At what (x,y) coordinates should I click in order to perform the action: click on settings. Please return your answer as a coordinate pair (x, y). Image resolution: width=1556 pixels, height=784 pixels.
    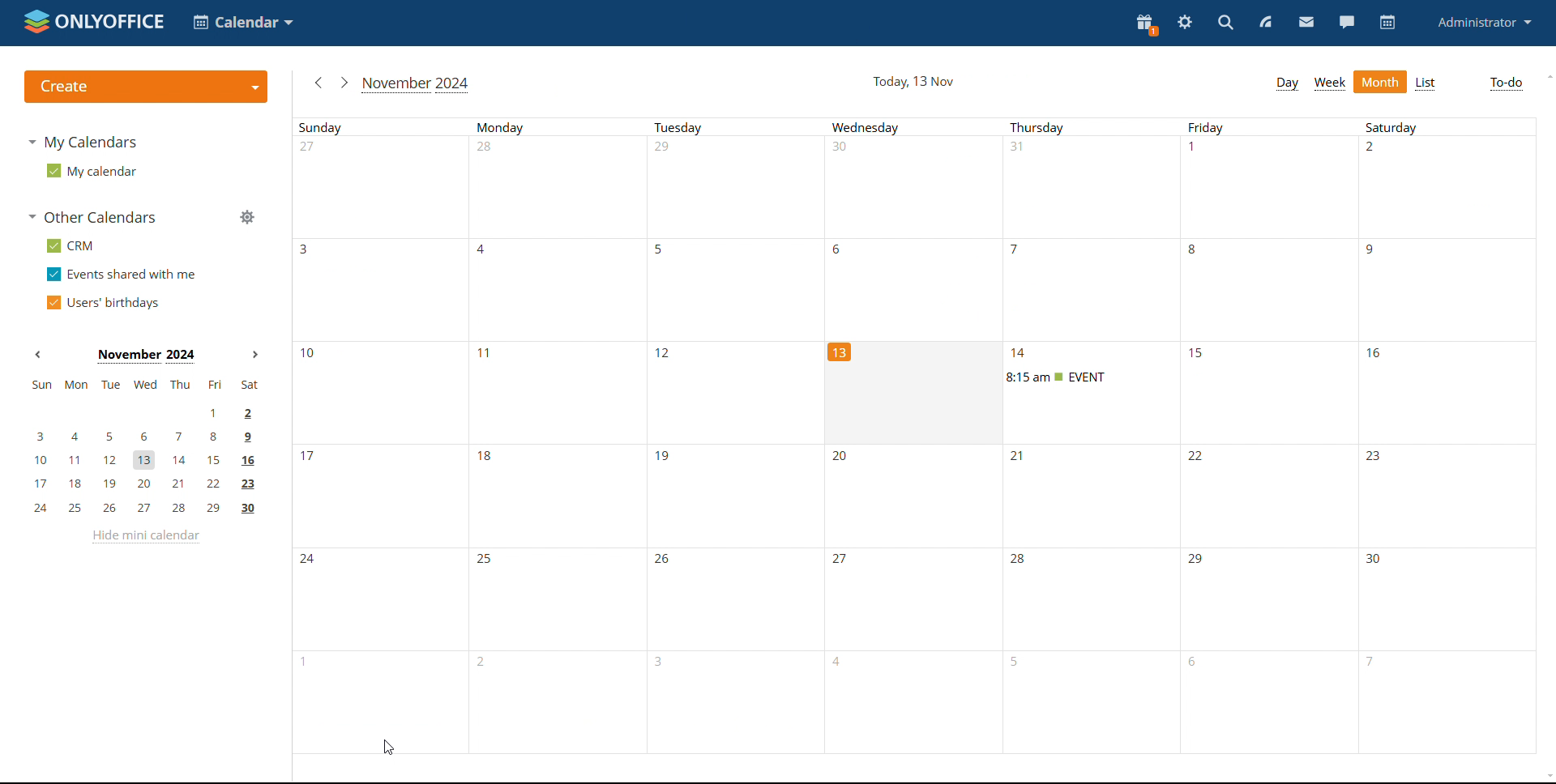
    Looking at the image, I should click on (1186, 23).